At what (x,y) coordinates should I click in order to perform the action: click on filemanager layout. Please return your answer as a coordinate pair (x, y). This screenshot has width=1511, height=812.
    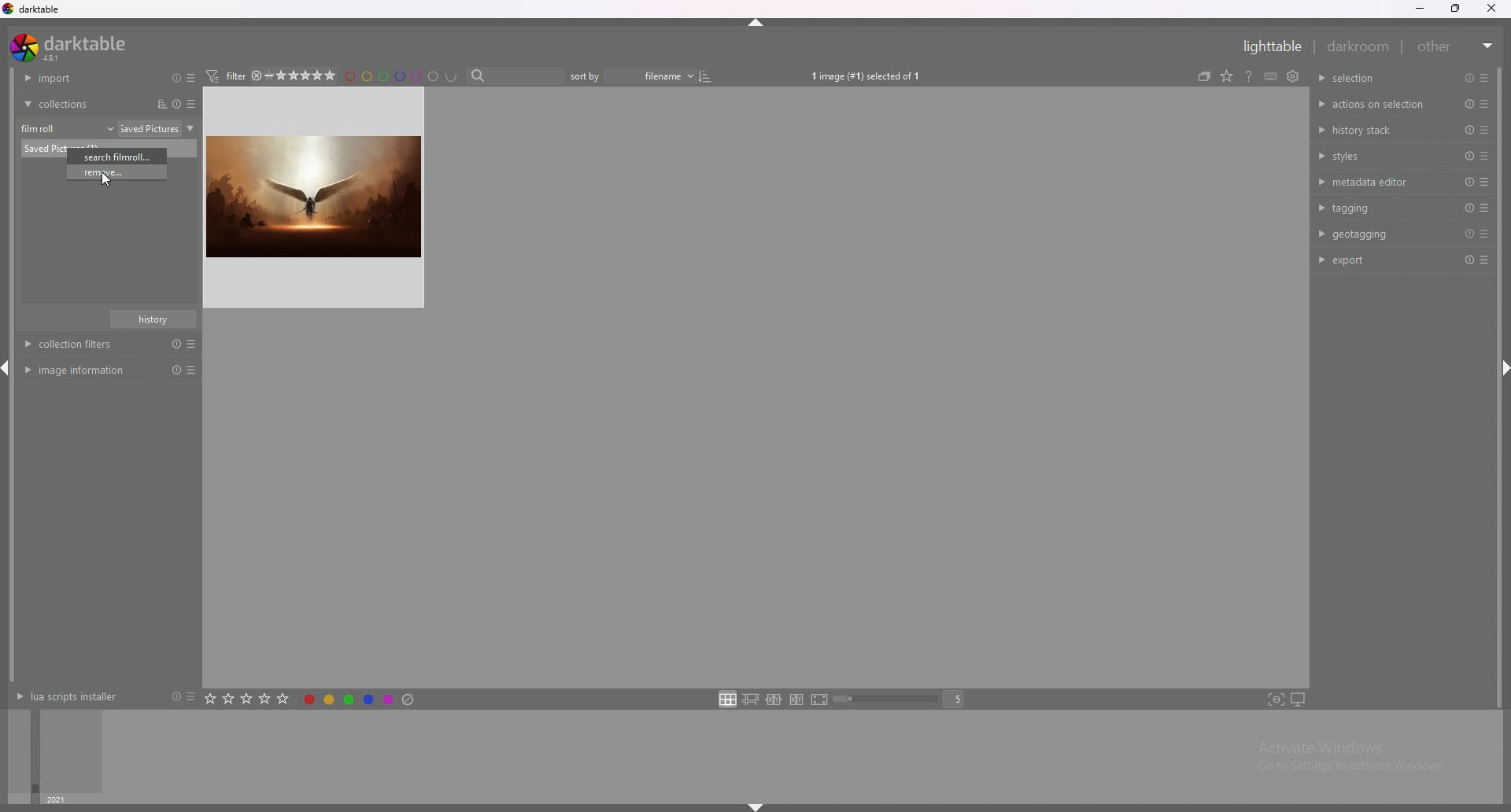
    Looking at the image, I should click on (727, 699).